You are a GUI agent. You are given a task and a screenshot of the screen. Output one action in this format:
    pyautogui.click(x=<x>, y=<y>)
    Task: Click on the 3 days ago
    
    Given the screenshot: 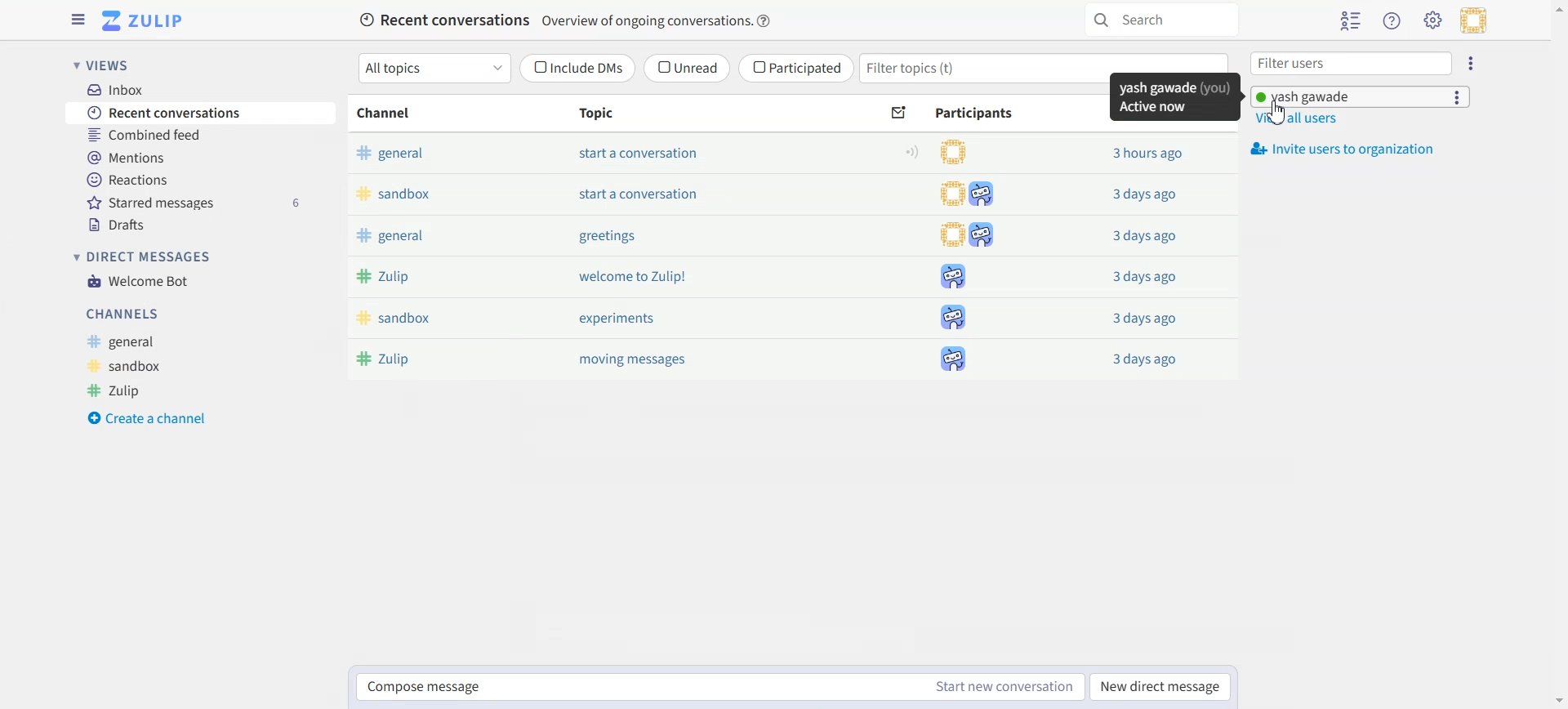 What is the action you would take?
    pyautogui.click(x=1149, y=194)
    